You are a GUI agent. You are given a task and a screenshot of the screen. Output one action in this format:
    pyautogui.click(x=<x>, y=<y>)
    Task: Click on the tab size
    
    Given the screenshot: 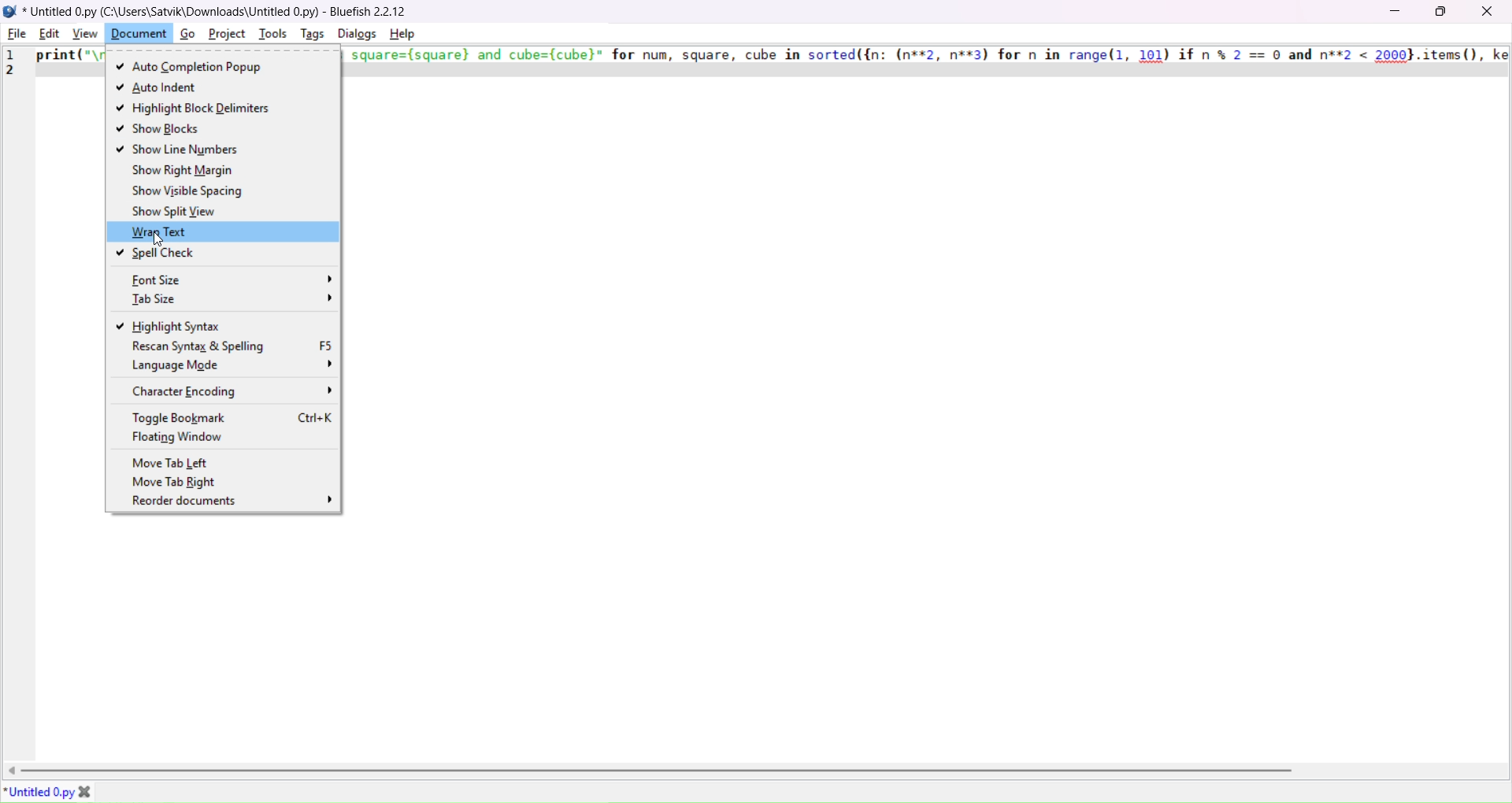 What is the action you would take?
    pyautogui.click(x=225, y=300)
    